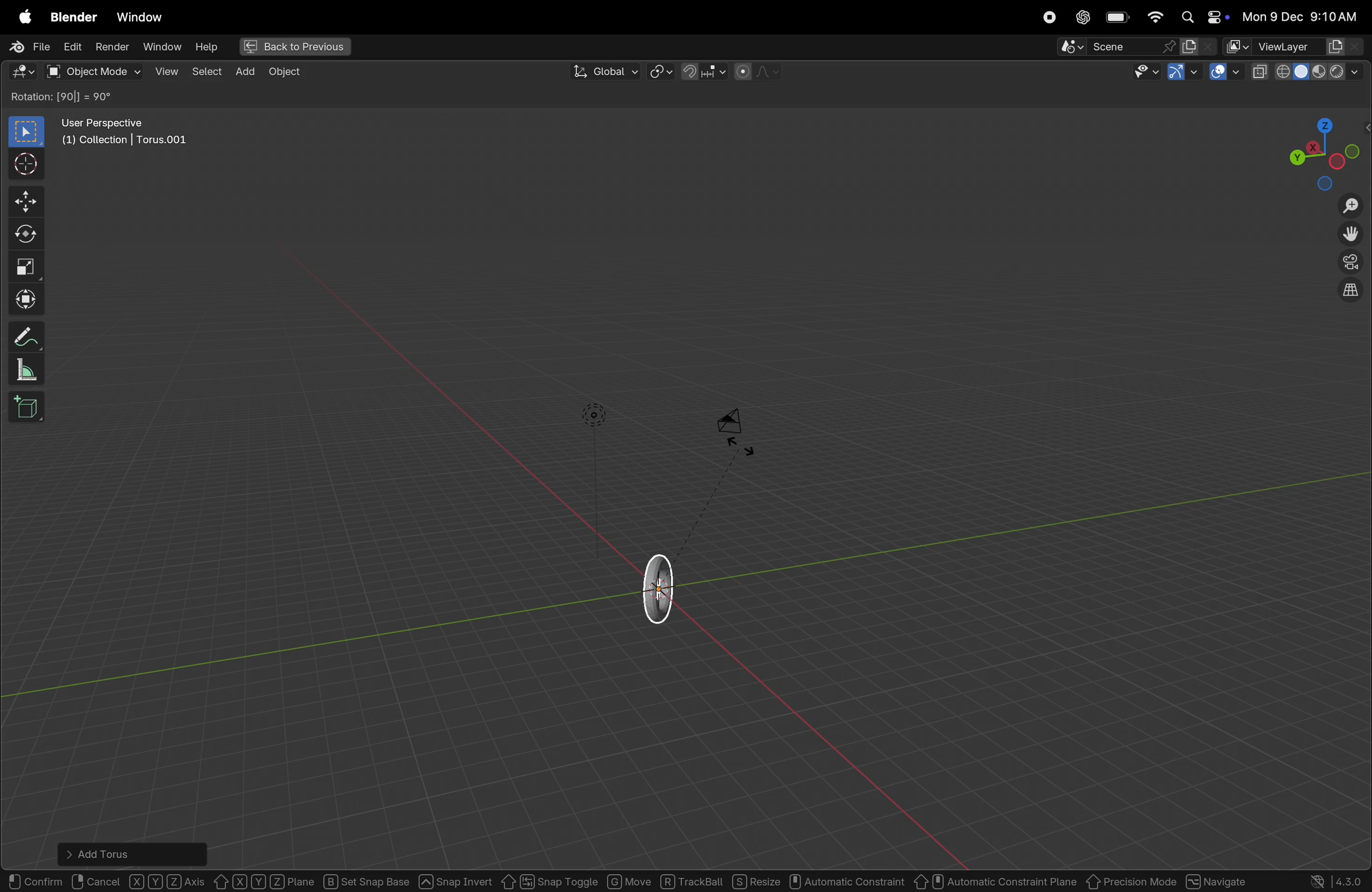  What do you see at coordinates (1348, 235) in the screenshot?
I see `move the view` at bounding box center [1348, 235].